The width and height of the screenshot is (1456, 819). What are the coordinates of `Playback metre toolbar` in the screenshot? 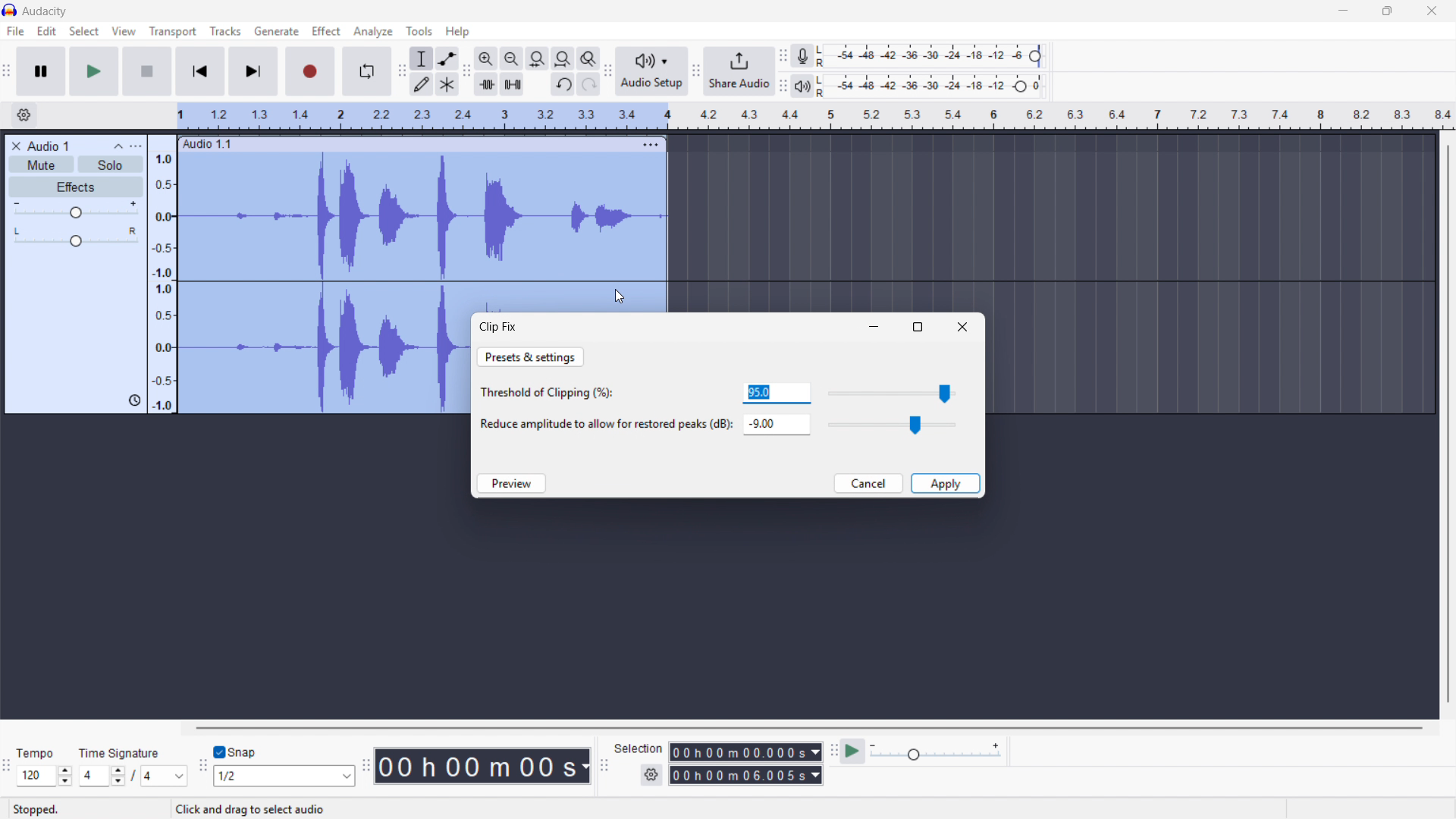 It's located at (783, 86).